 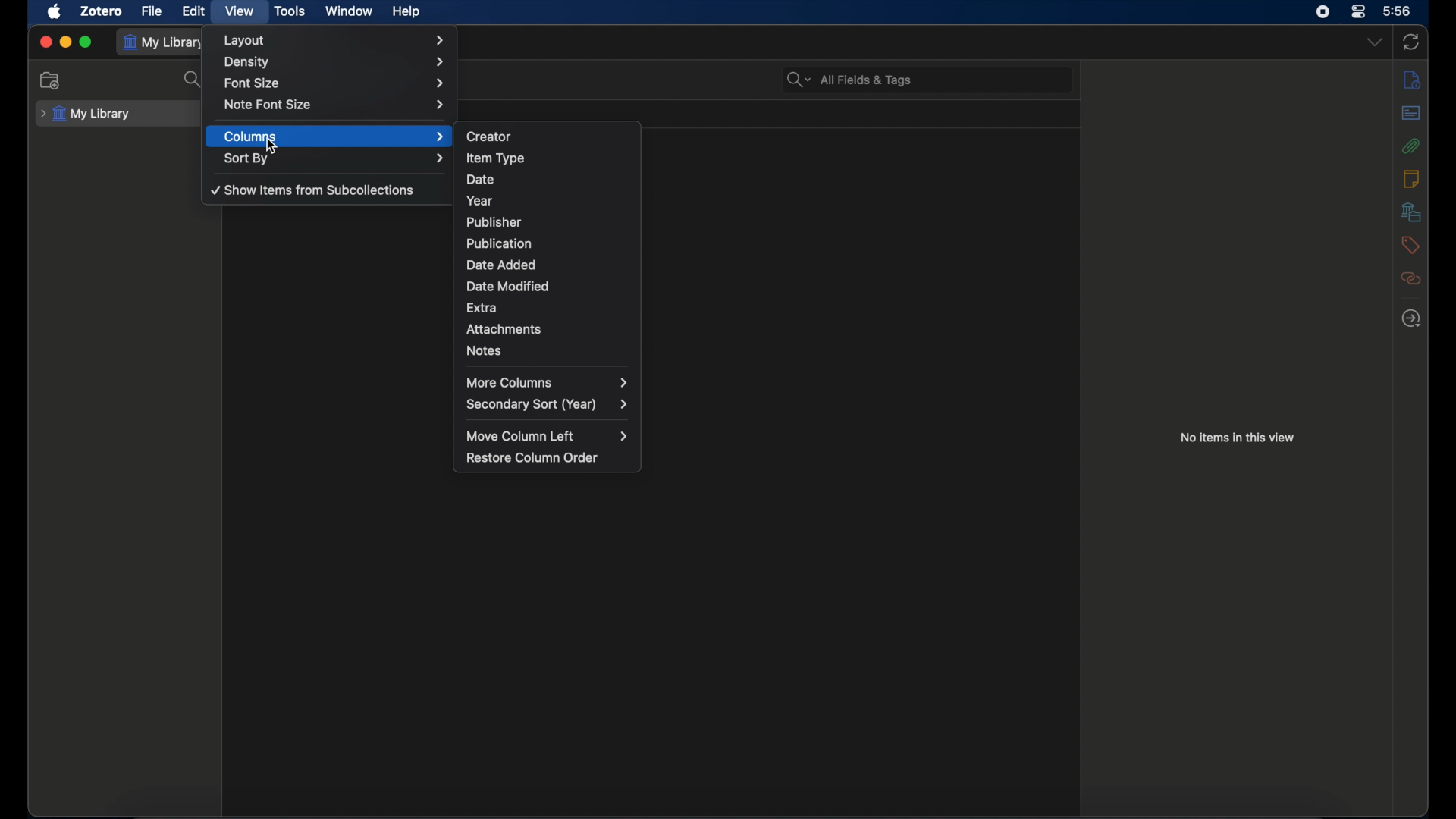 I want to click on date added, so click(x=549, y=263).